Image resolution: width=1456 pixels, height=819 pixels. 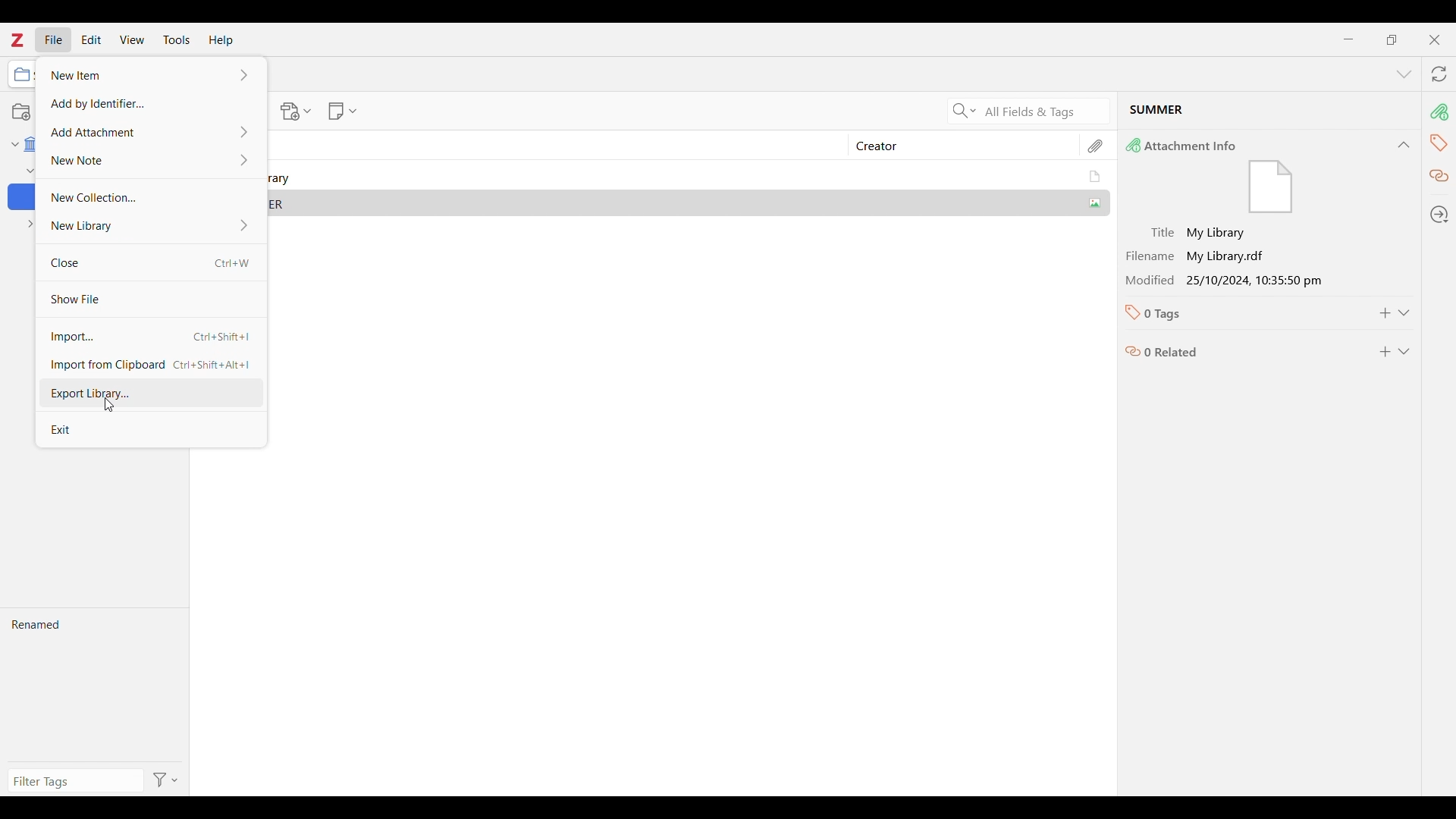 What do you see at coordinates (1348, 39) in the screenshot?
I see `Minimize` at bounding box center [1348, 39].